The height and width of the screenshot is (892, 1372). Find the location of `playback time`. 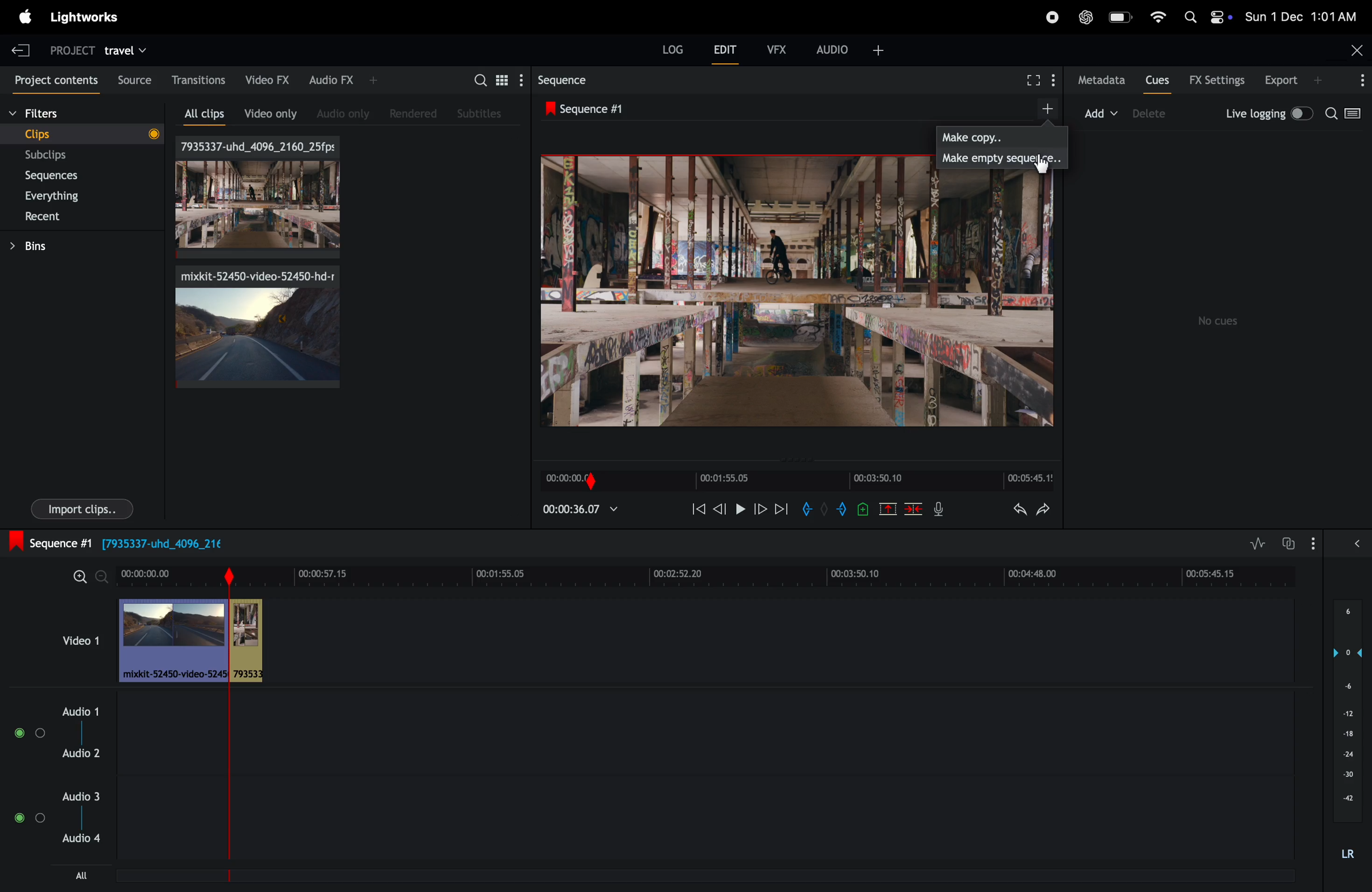

playback time is located at coordinates (583, 510).